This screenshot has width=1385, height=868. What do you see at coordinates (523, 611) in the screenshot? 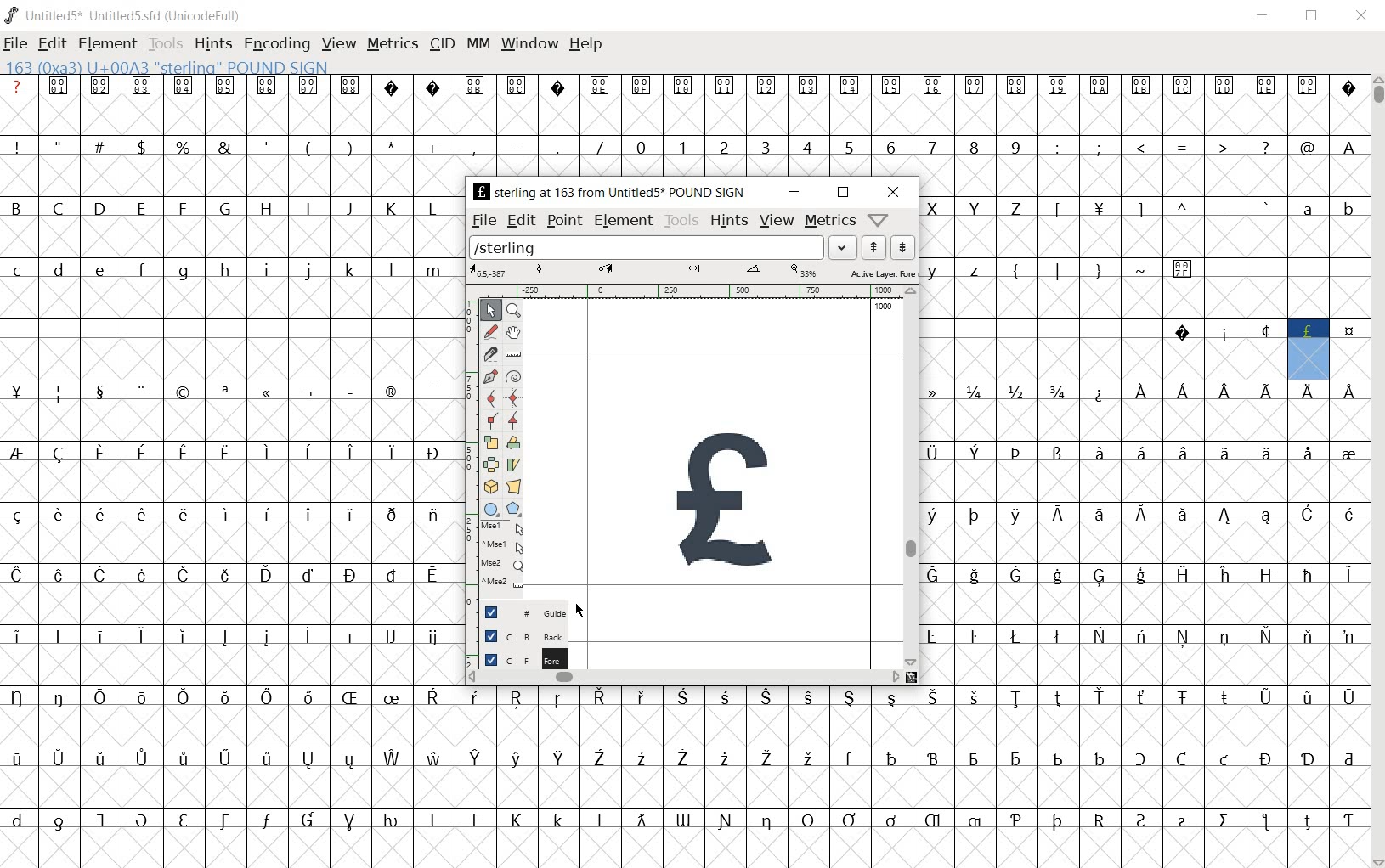
I see `Guide layer` at bounding box center [523, 611].